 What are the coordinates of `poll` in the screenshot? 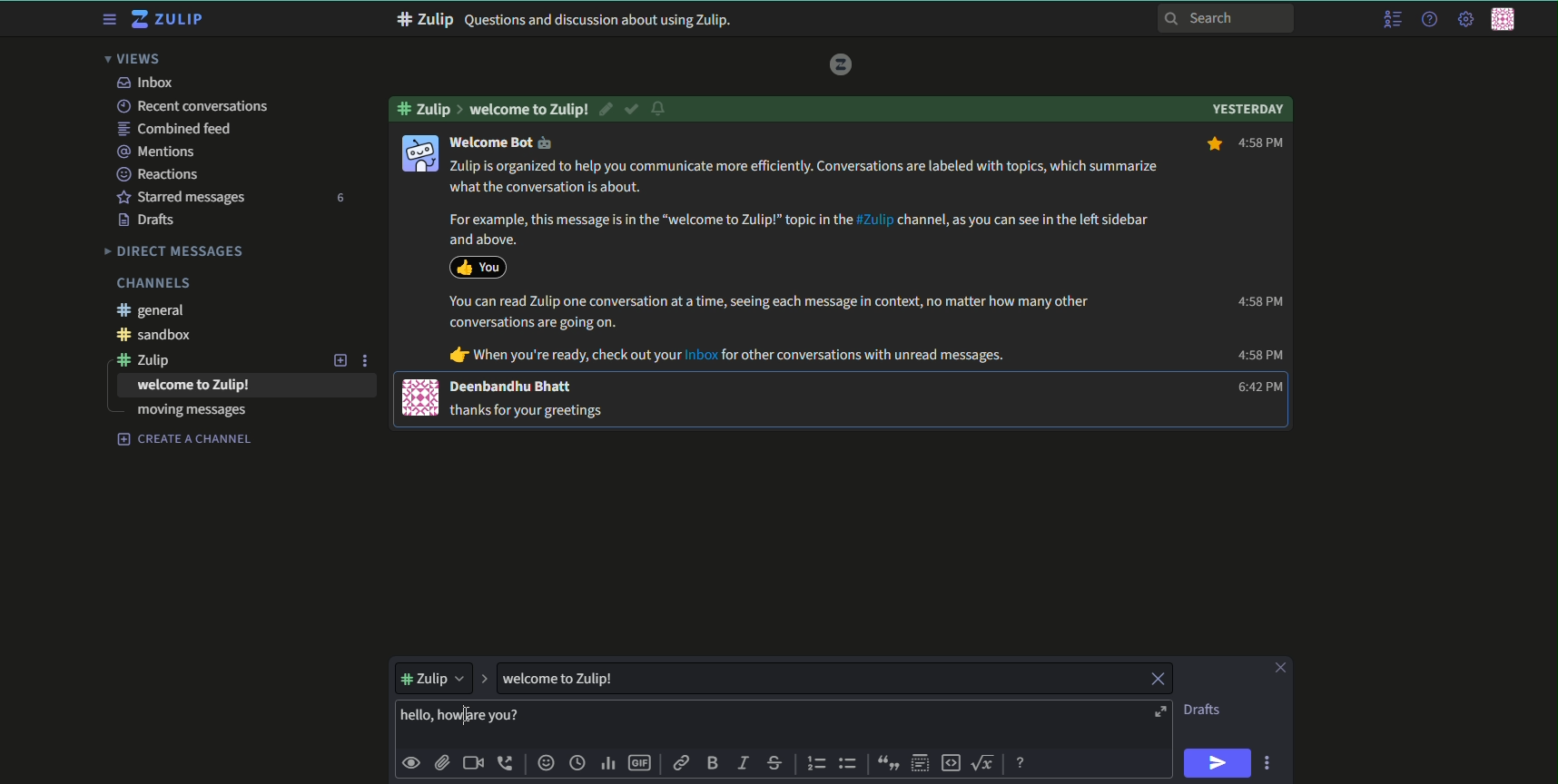 It's located at (610, 765).